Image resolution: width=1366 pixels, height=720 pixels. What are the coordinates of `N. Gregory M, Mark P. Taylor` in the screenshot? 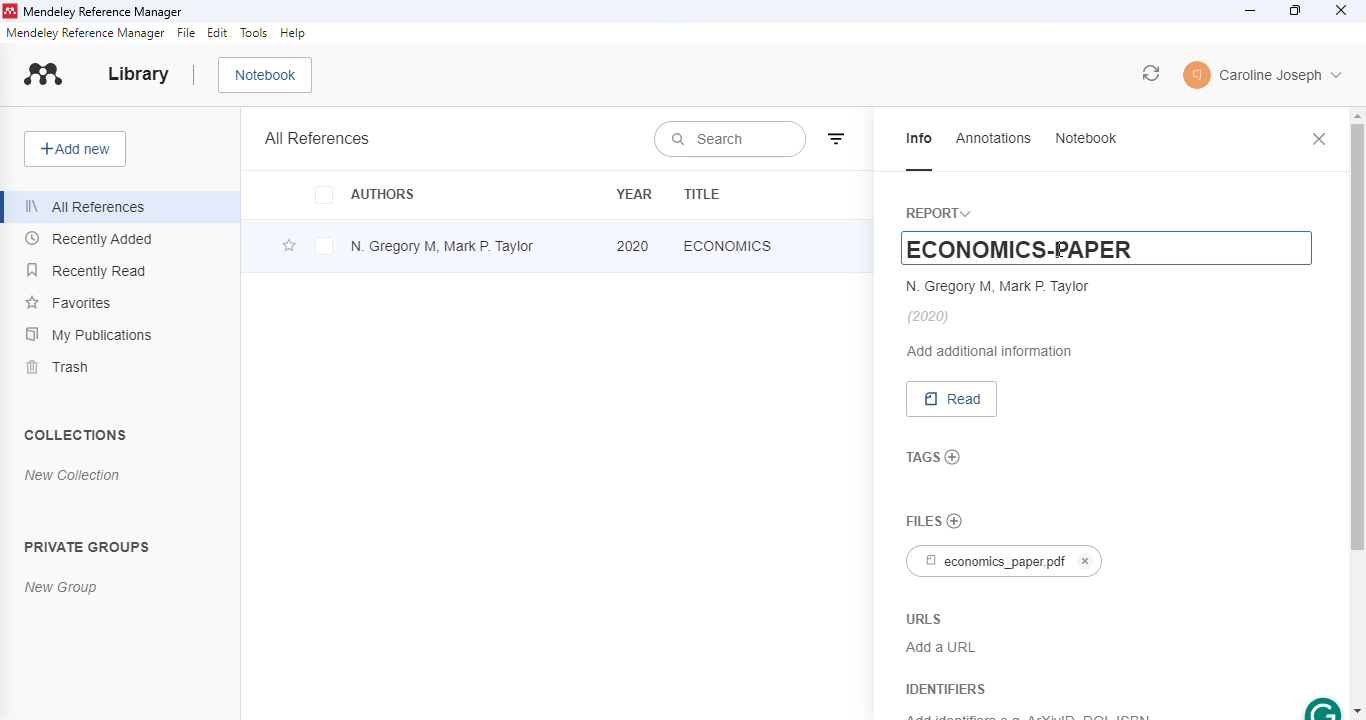 It's located at (999, 286).